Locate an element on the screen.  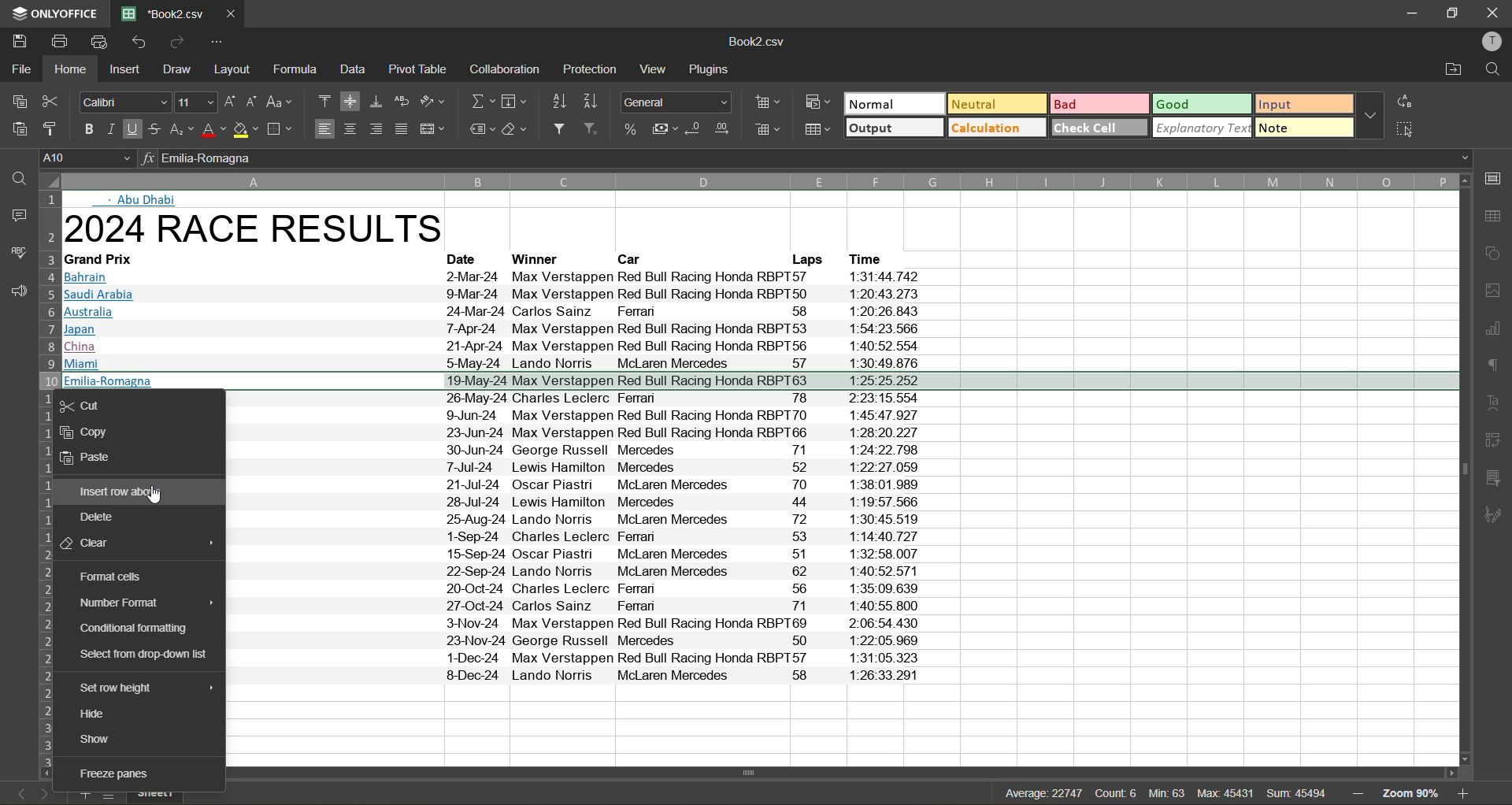
align left is located at coordinates (324, 129).